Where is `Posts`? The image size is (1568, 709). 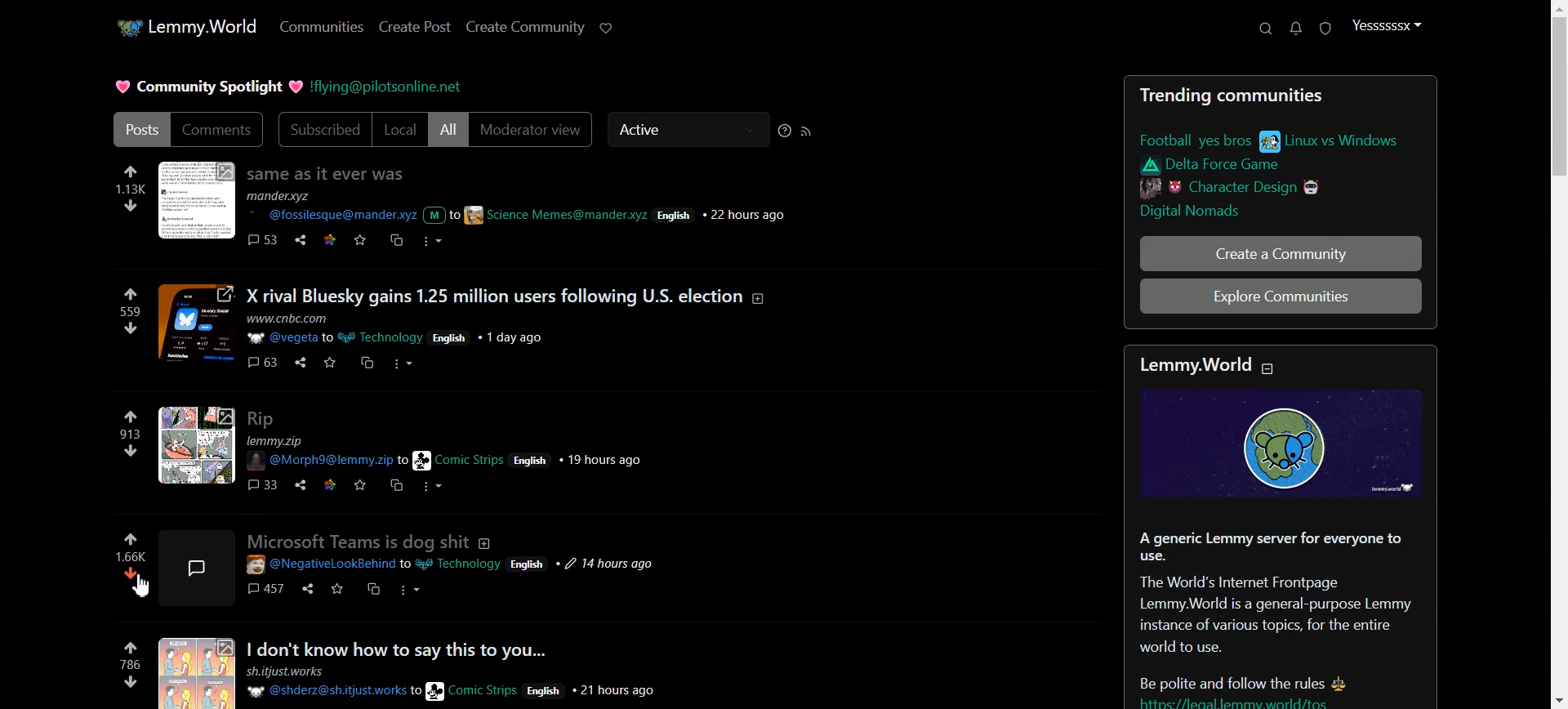 Posts is located at coordinates (334, 174).